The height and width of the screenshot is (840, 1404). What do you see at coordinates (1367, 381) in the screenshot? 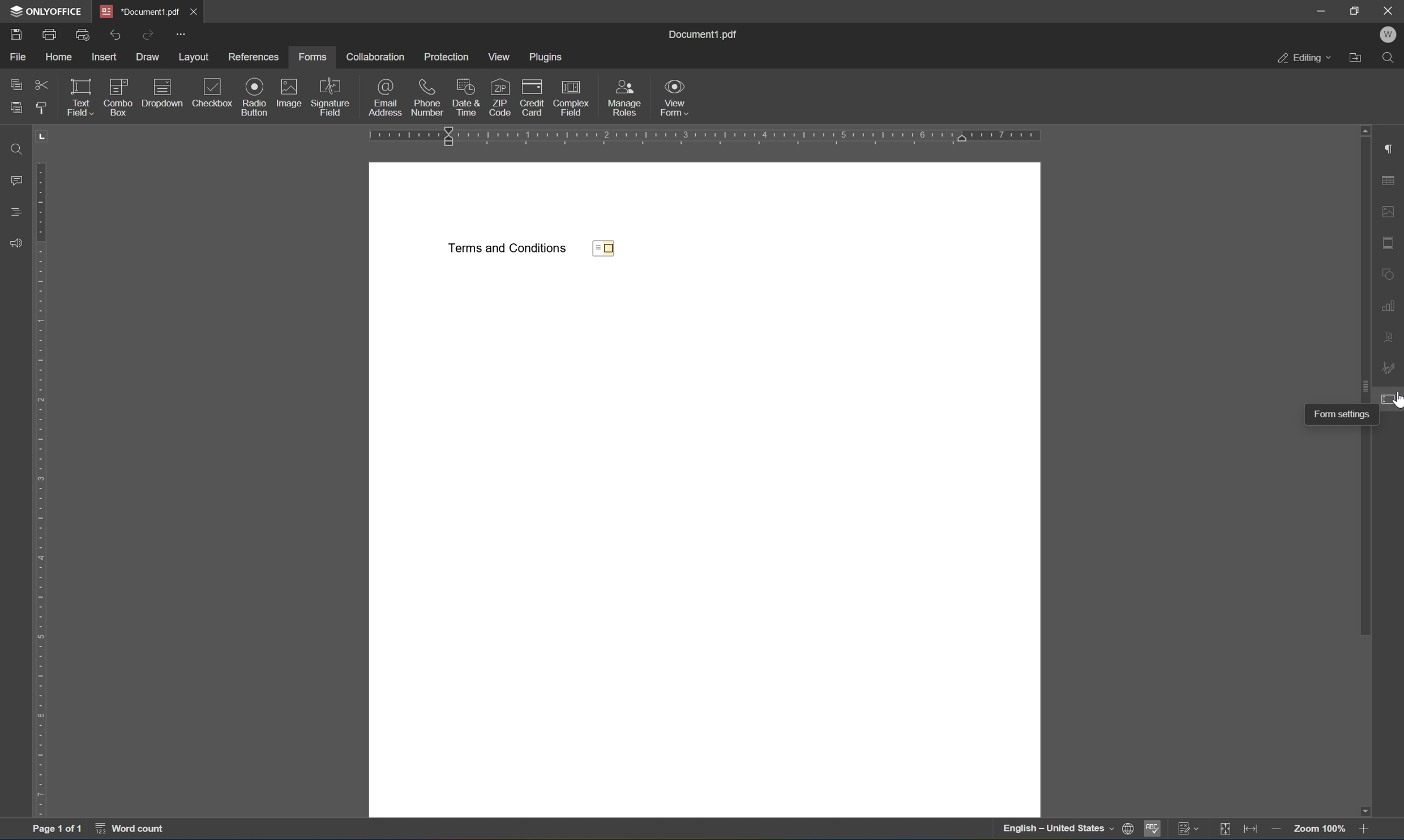
I see `scroll bar` at bounding box center [1367, 381].